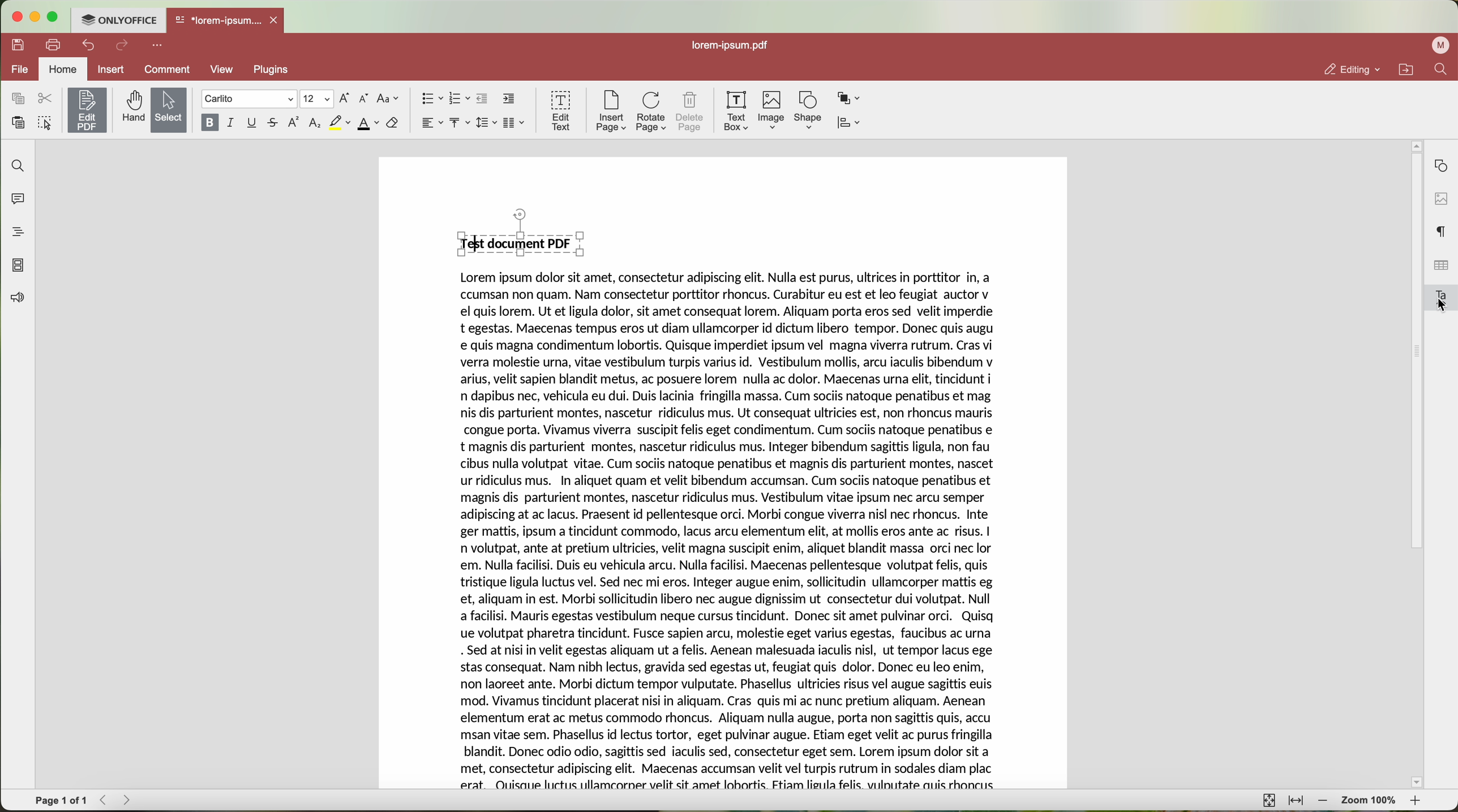 This screenshot has height=812, width=1458. What do you see at coordinates (773, 111) in the screenshot?
I see `image` at bounding box center [773, 111].